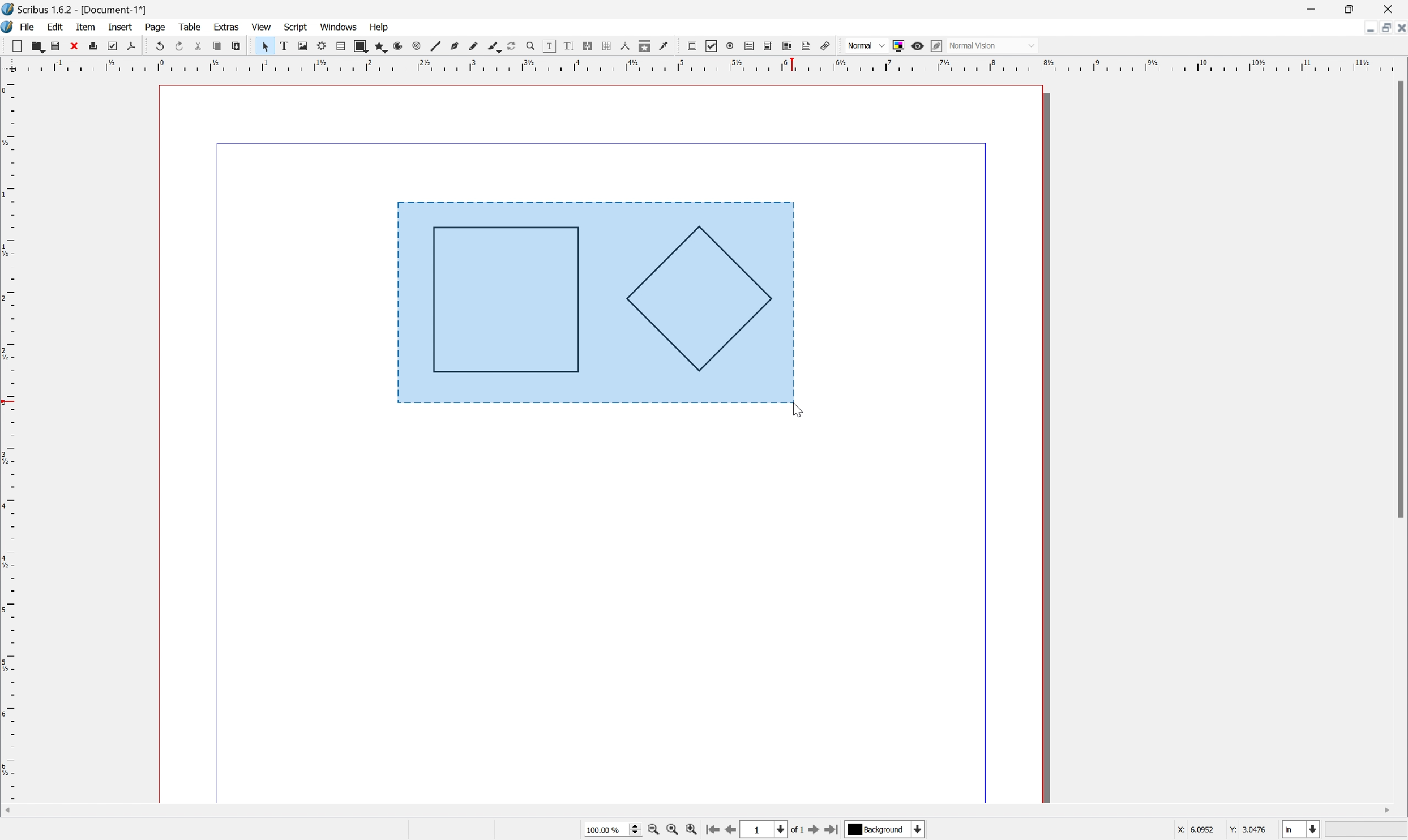 The image size is (1408, 840). Describe the element at coordinates (1384, 28) in the screenshot. I see `Restore down` at that location.